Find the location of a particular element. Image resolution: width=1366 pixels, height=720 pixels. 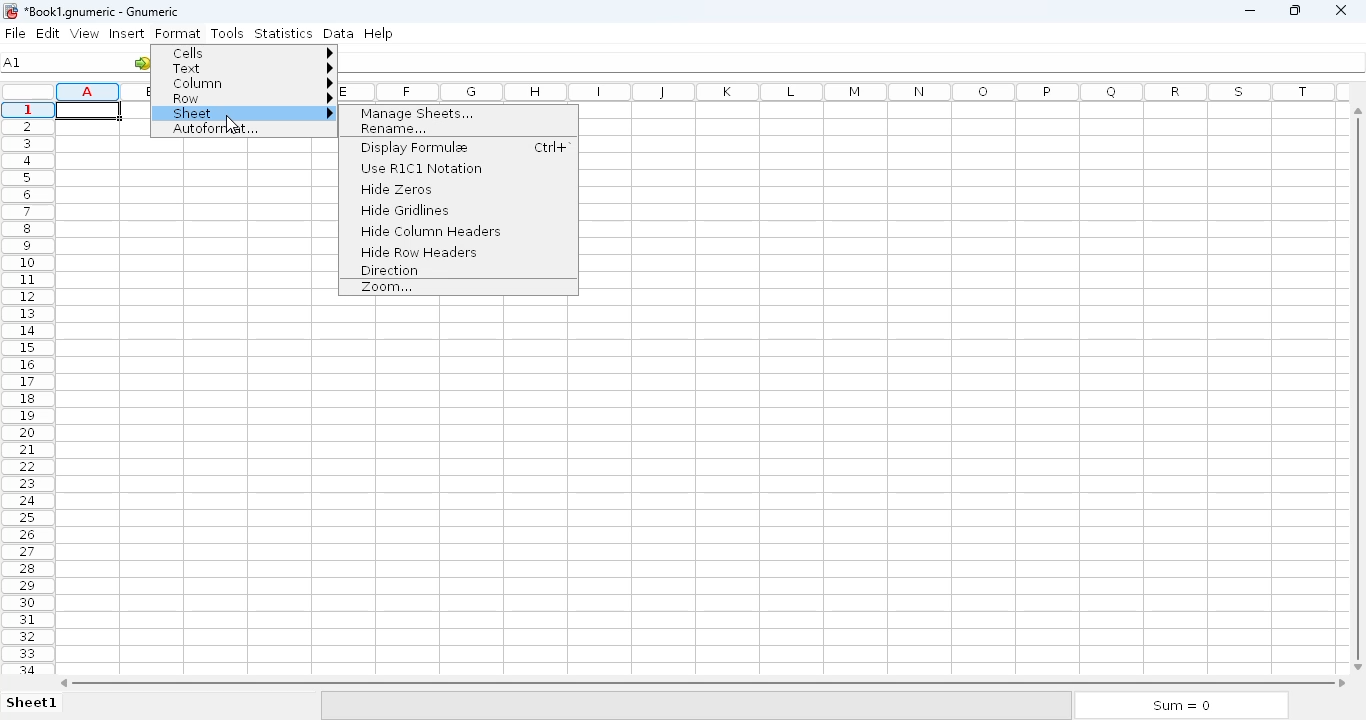

hide column headers is located at coordinates (432, 232).